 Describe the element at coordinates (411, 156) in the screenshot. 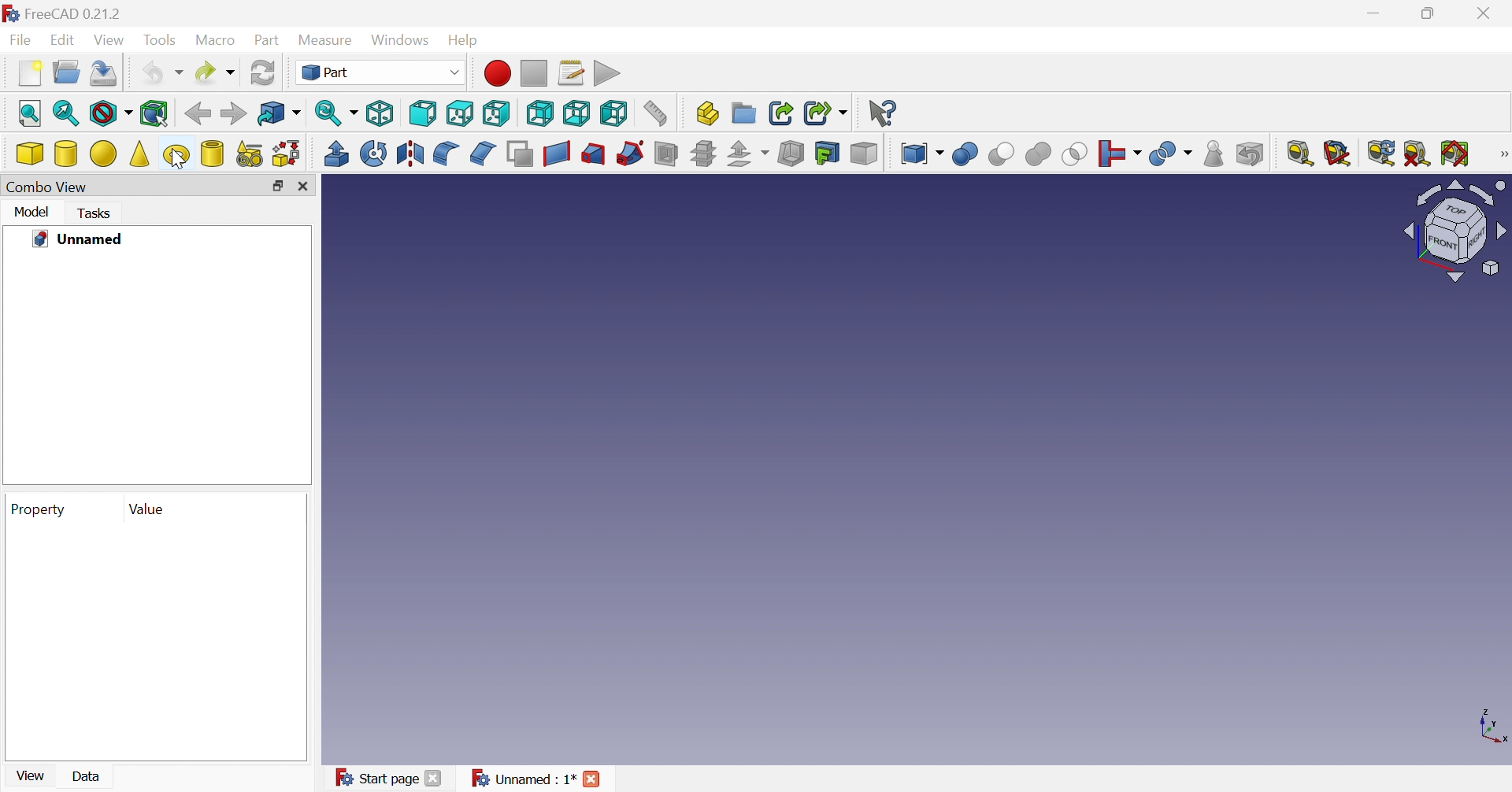

I see `Mirroring...` at that location.